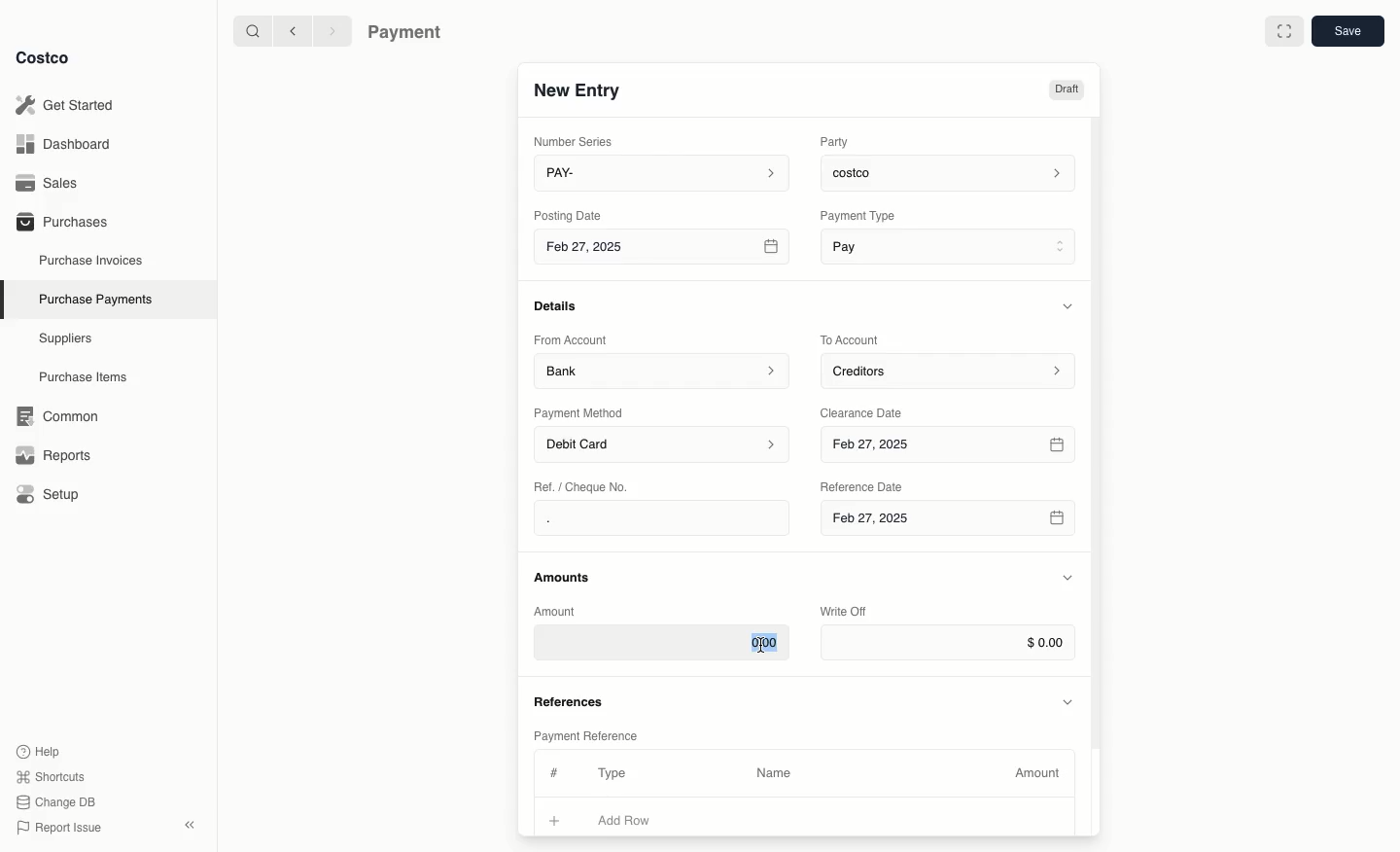 This screenshot has height=852, width=1400. What do you see at coordinates (555, 818) in the screenshot?
I see `Add` at bounding box center [555, 818].